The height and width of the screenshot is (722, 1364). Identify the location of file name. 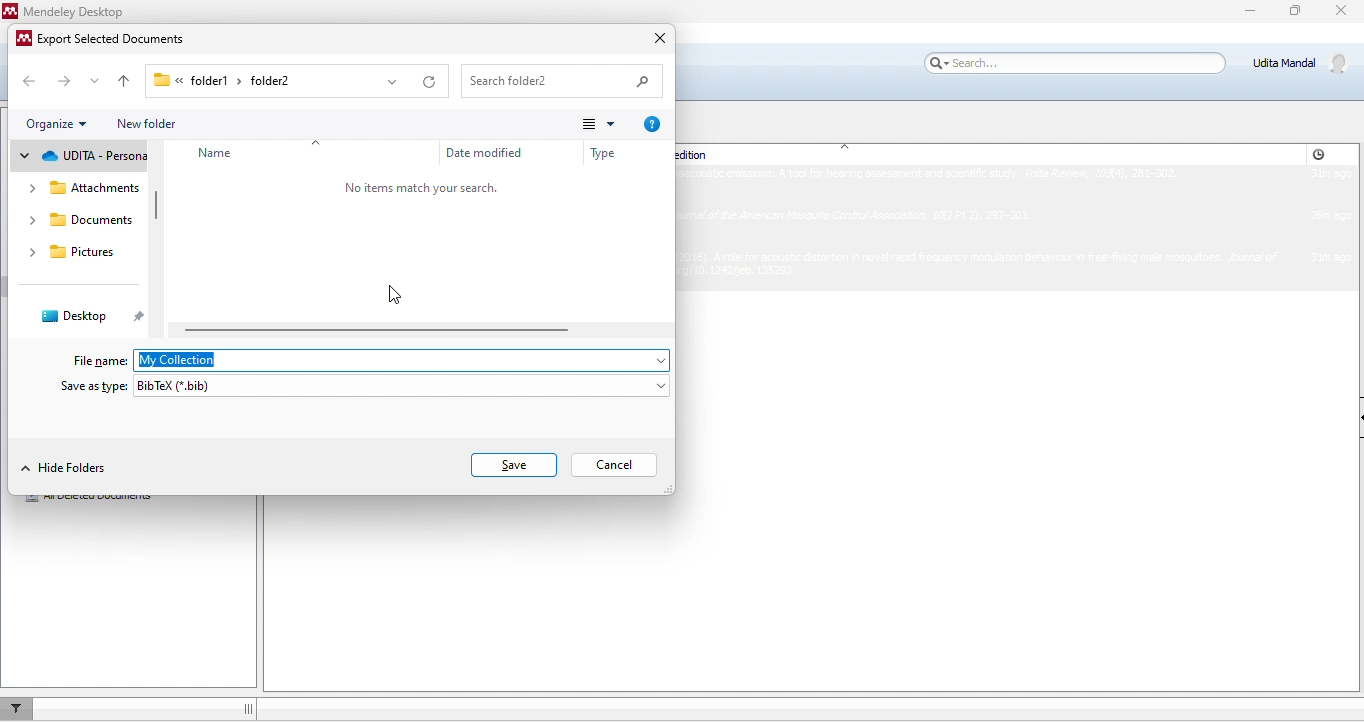
(94, 360).